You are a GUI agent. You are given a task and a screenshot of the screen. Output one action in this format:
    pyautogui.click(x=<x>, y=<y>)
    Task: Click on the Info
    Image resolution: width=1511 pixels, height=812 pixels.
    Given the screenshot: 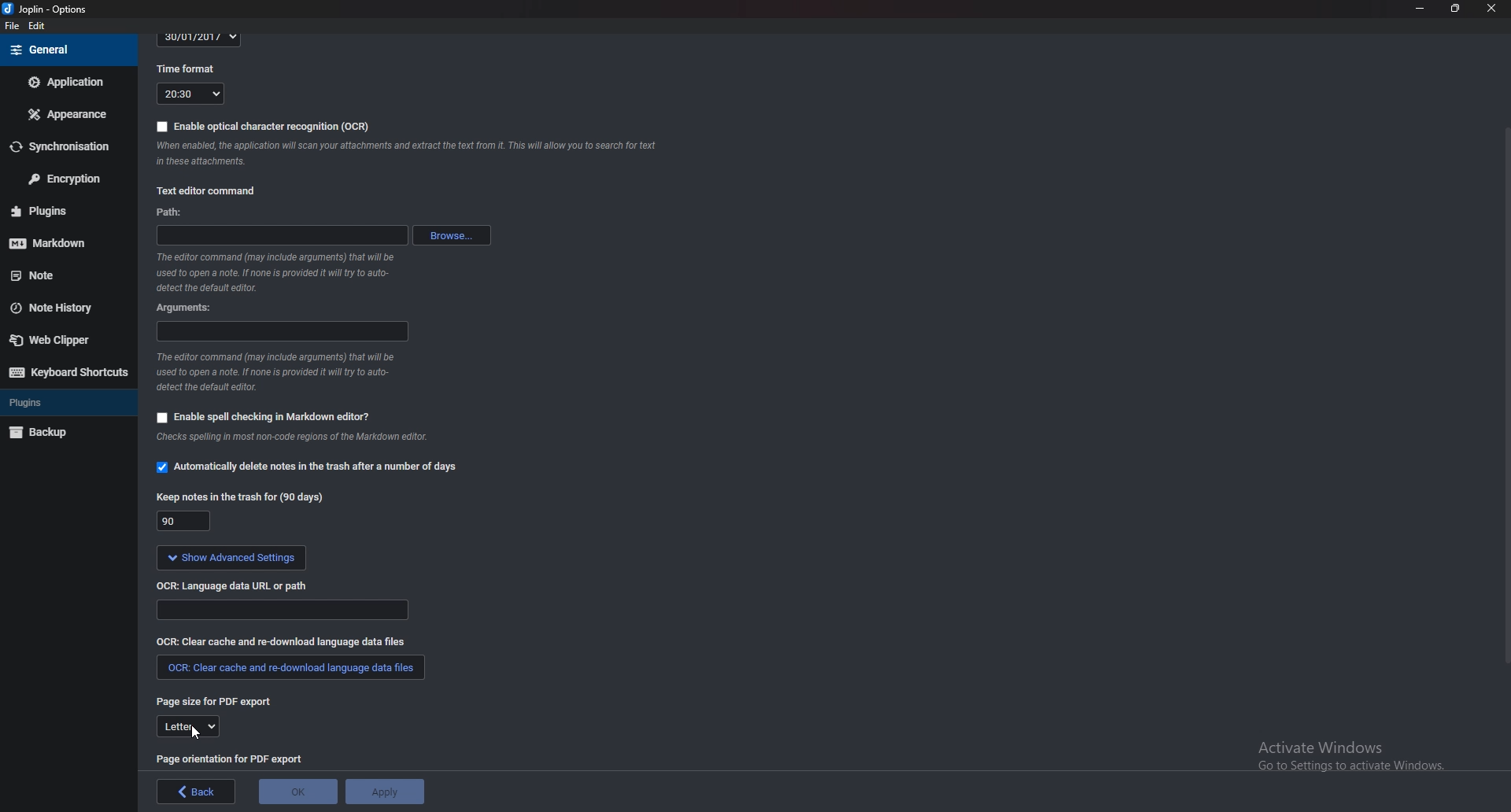 What is the action you would take?
    pyautogui.click(x=283, y=272)
    